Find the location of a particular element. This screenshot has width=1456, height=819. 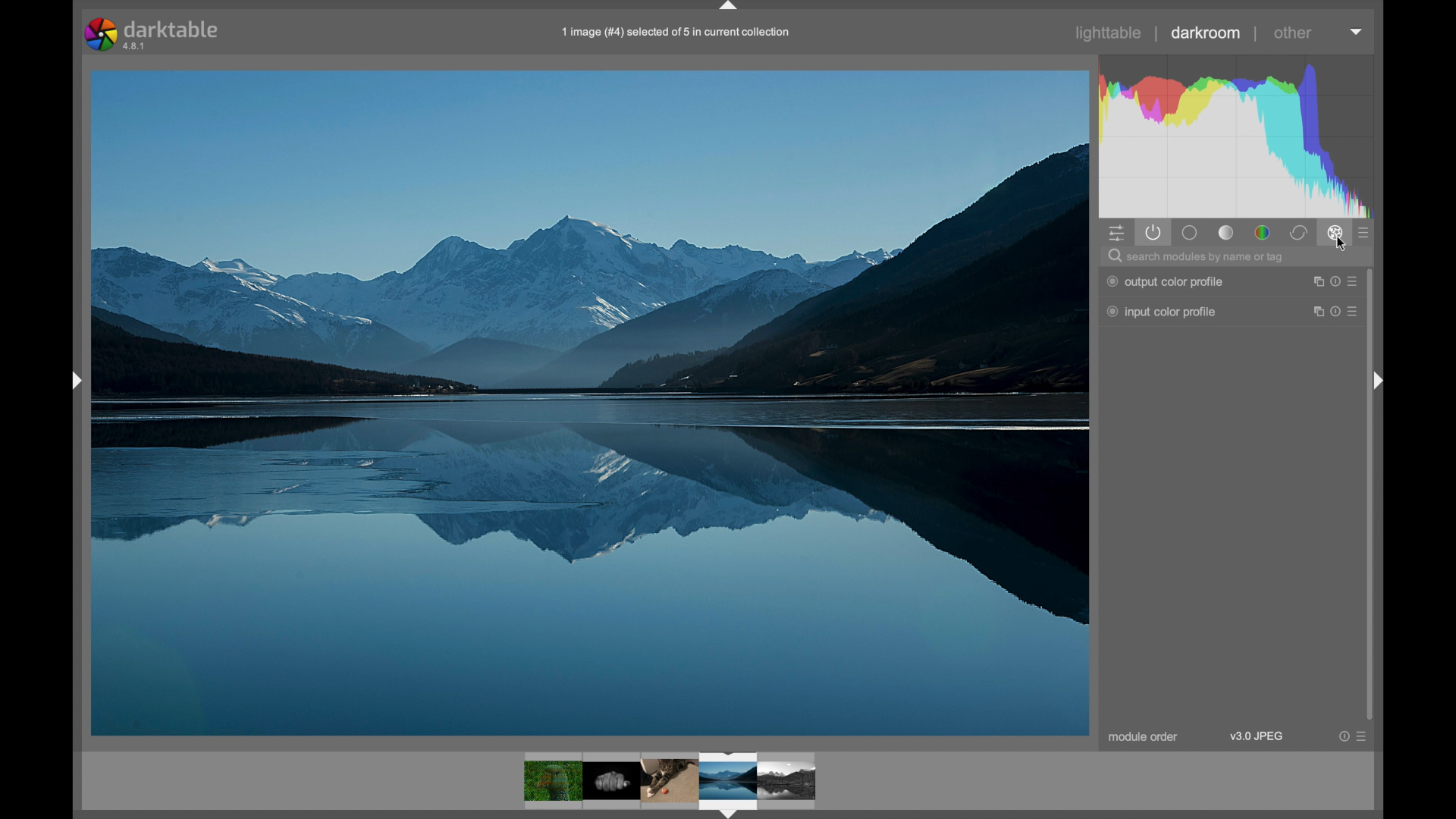

Maximize is located at coordinates (1315, 312).